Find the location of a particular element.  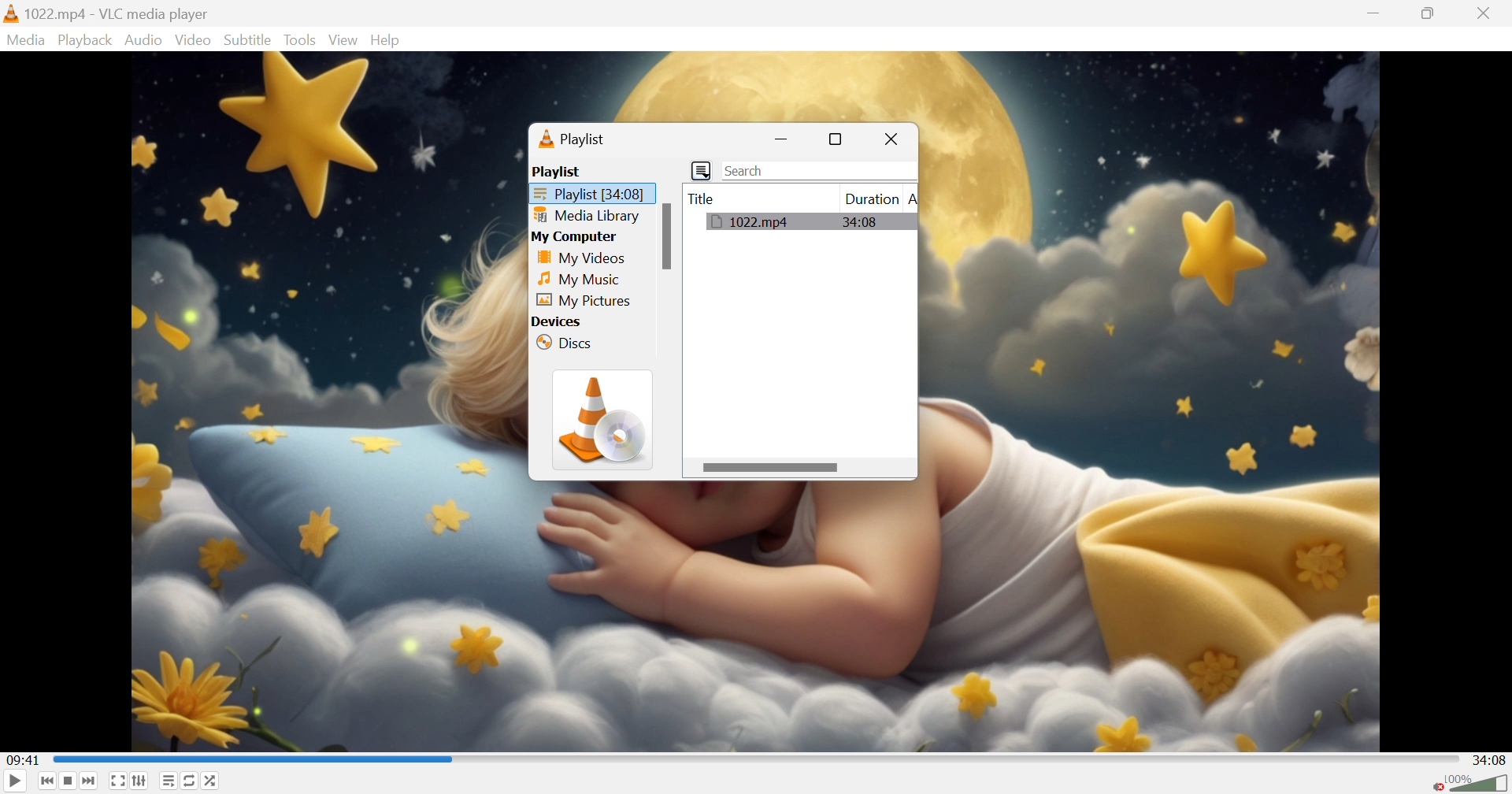

Tools is located at coordinates (301, 40).